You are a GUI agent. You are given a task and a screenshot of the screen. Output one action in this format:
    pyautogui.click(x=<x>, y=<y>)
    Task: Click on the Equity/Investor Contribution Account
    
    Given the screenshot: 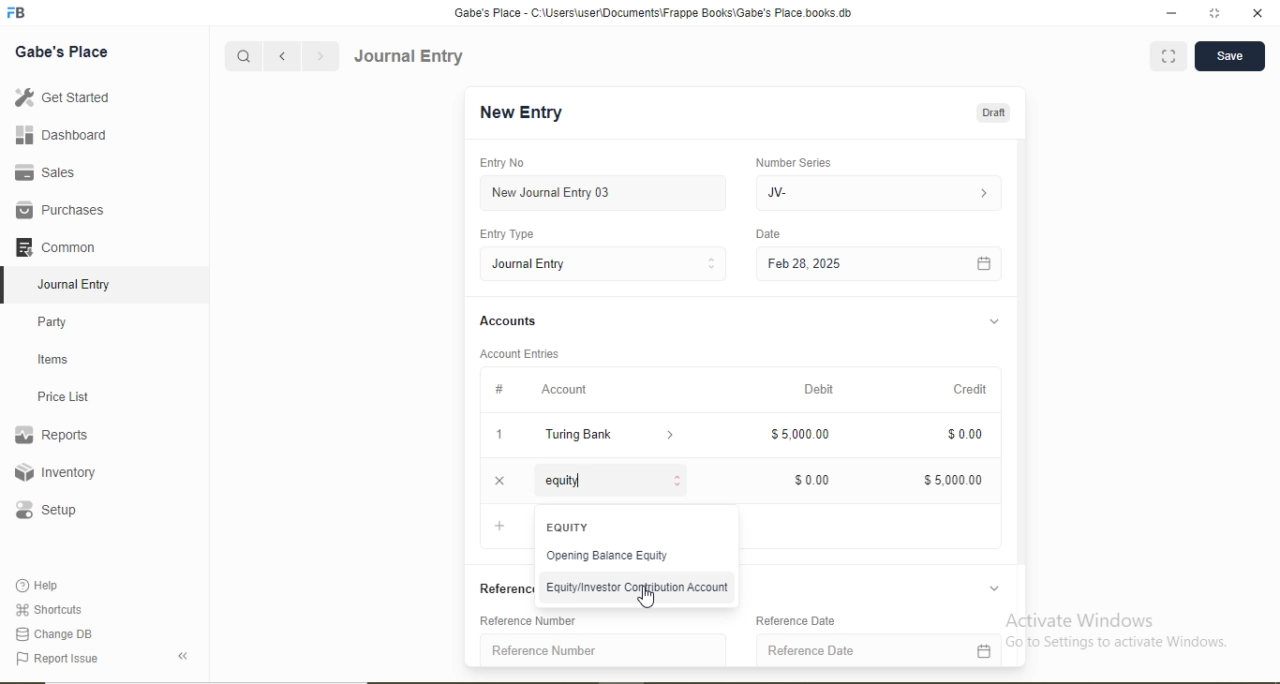 What is the action you would take?
    pyautogui.click(x=637, y=587)
    